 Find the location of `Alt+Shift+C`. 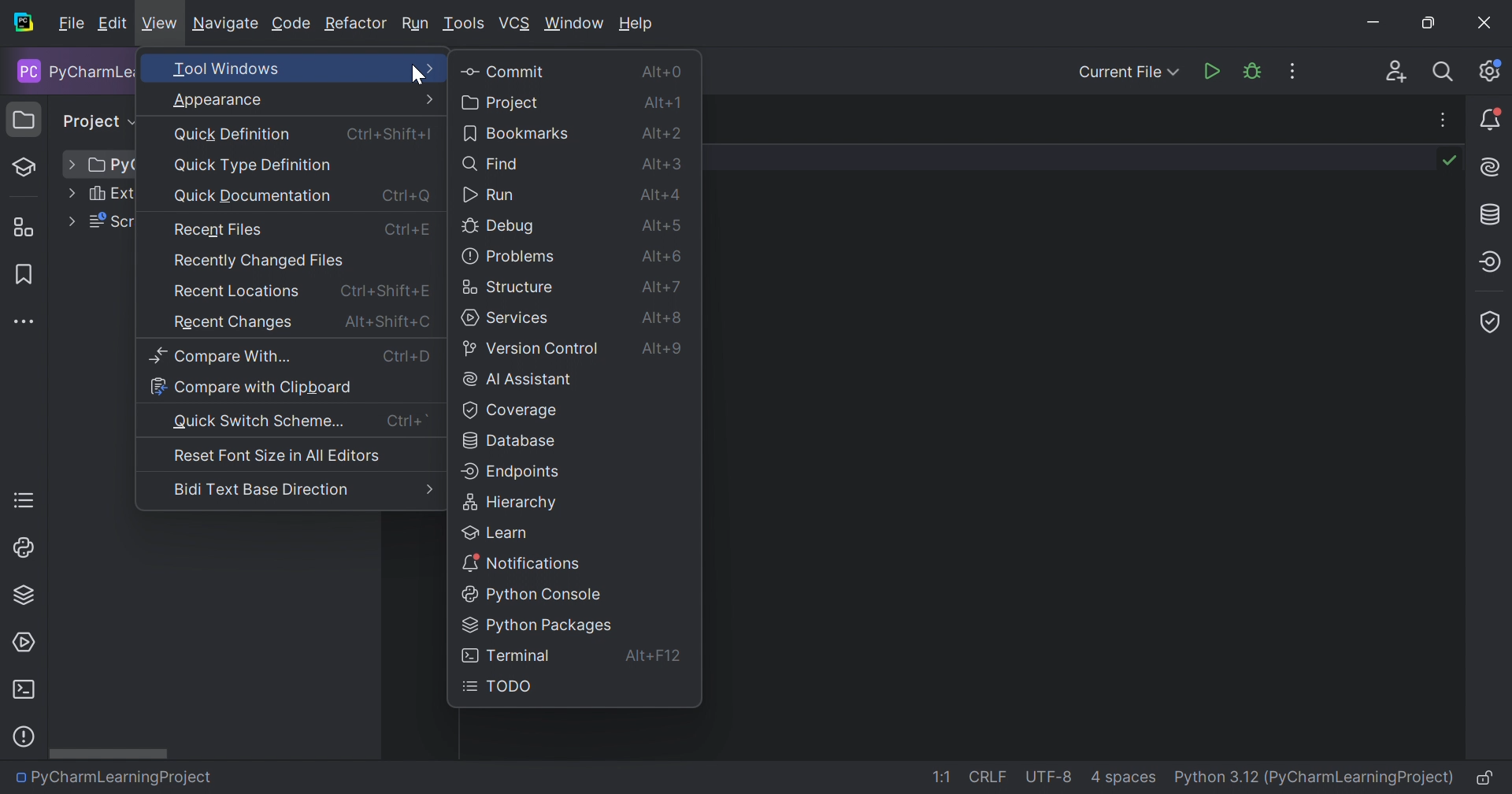

Alt+Shift+C is located at coordinates (387, 322).